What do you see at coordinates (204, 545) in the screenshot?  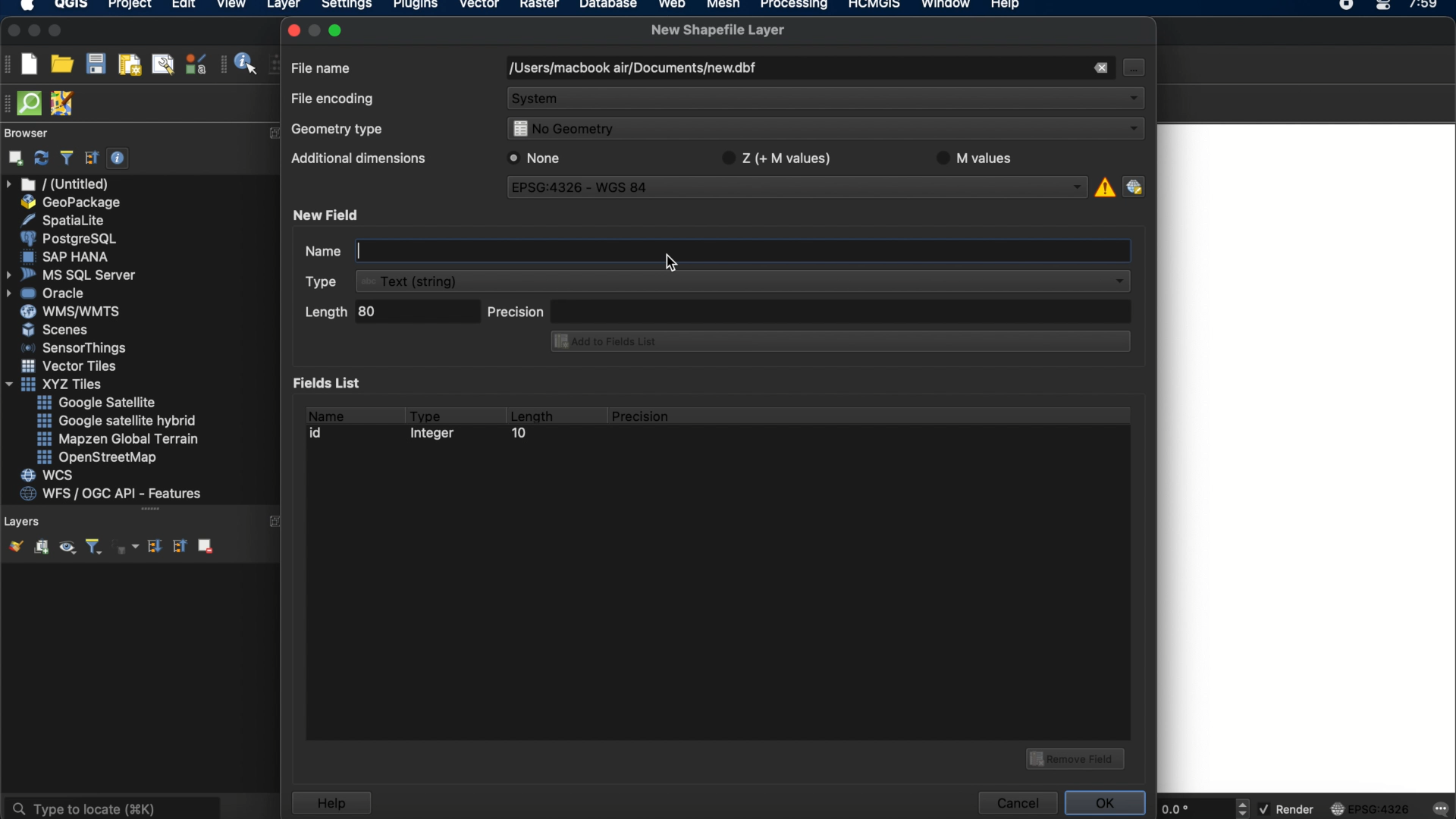 I see `remove layer group` at bounding box center [204, 545].